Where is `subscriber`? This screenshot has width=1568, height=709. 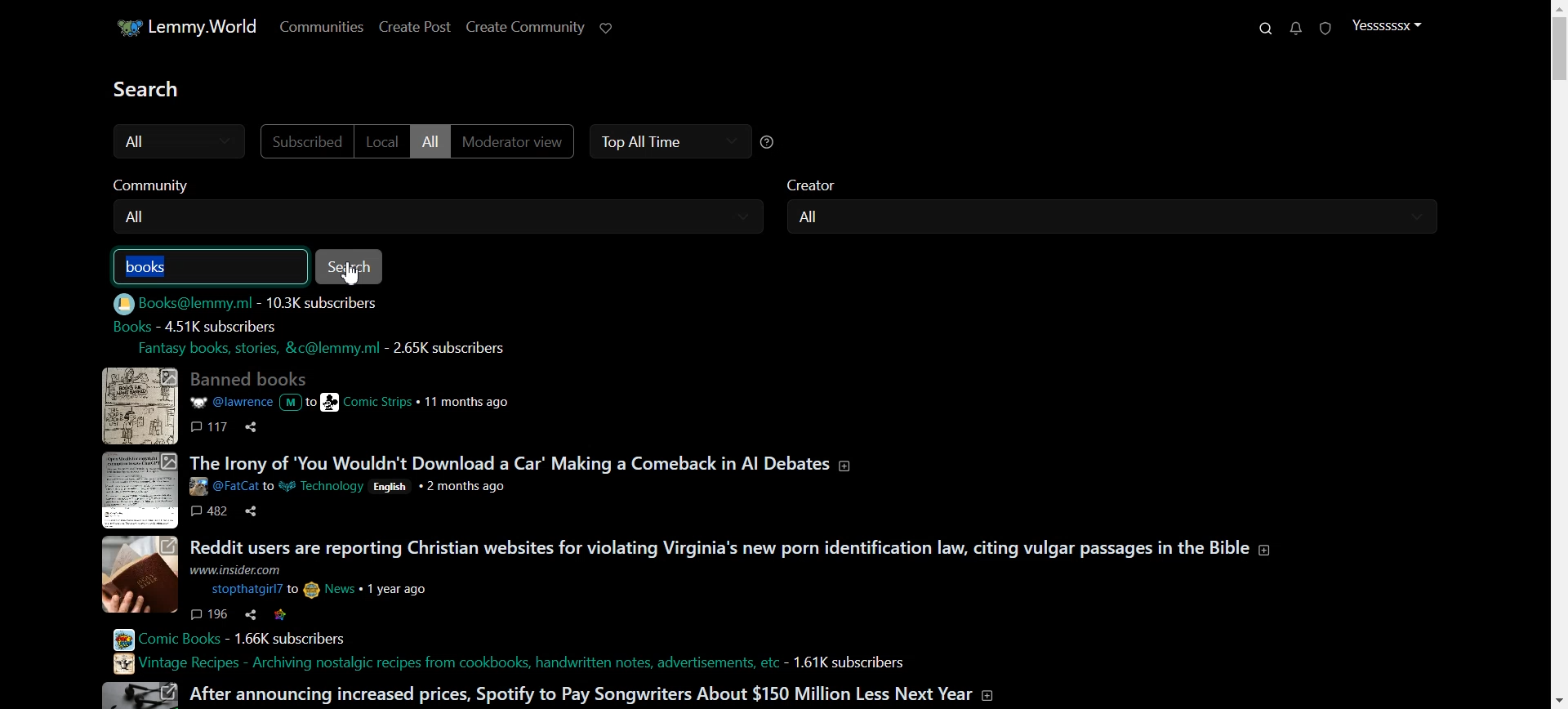
subscriber is located at coordinates (446, 349).